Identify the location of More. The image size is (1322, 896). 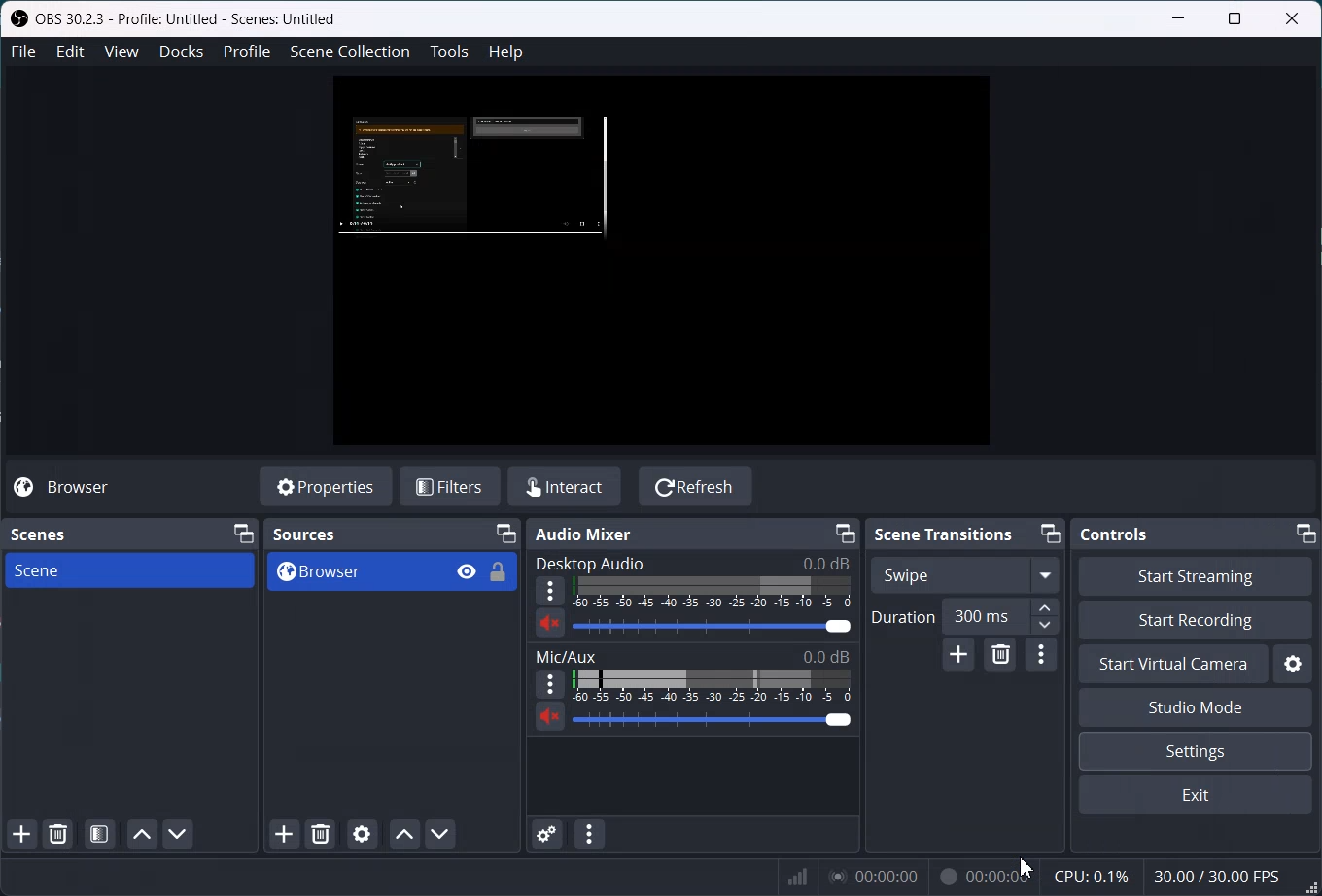
(549, 685).